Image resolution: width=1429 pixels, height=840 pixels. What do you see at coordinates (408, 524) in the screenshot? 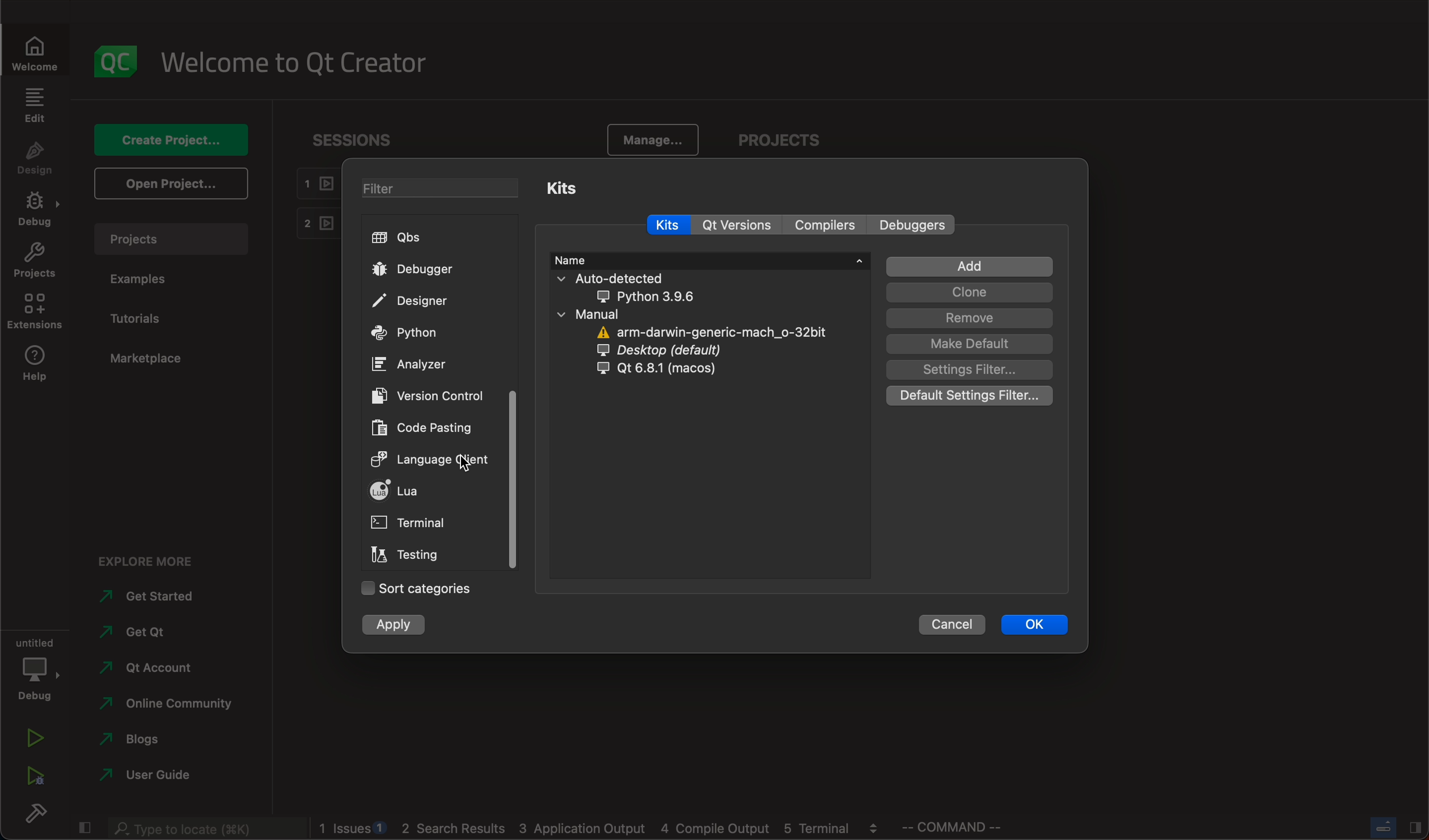
I see `terminal` at bounding box center [408, 524].